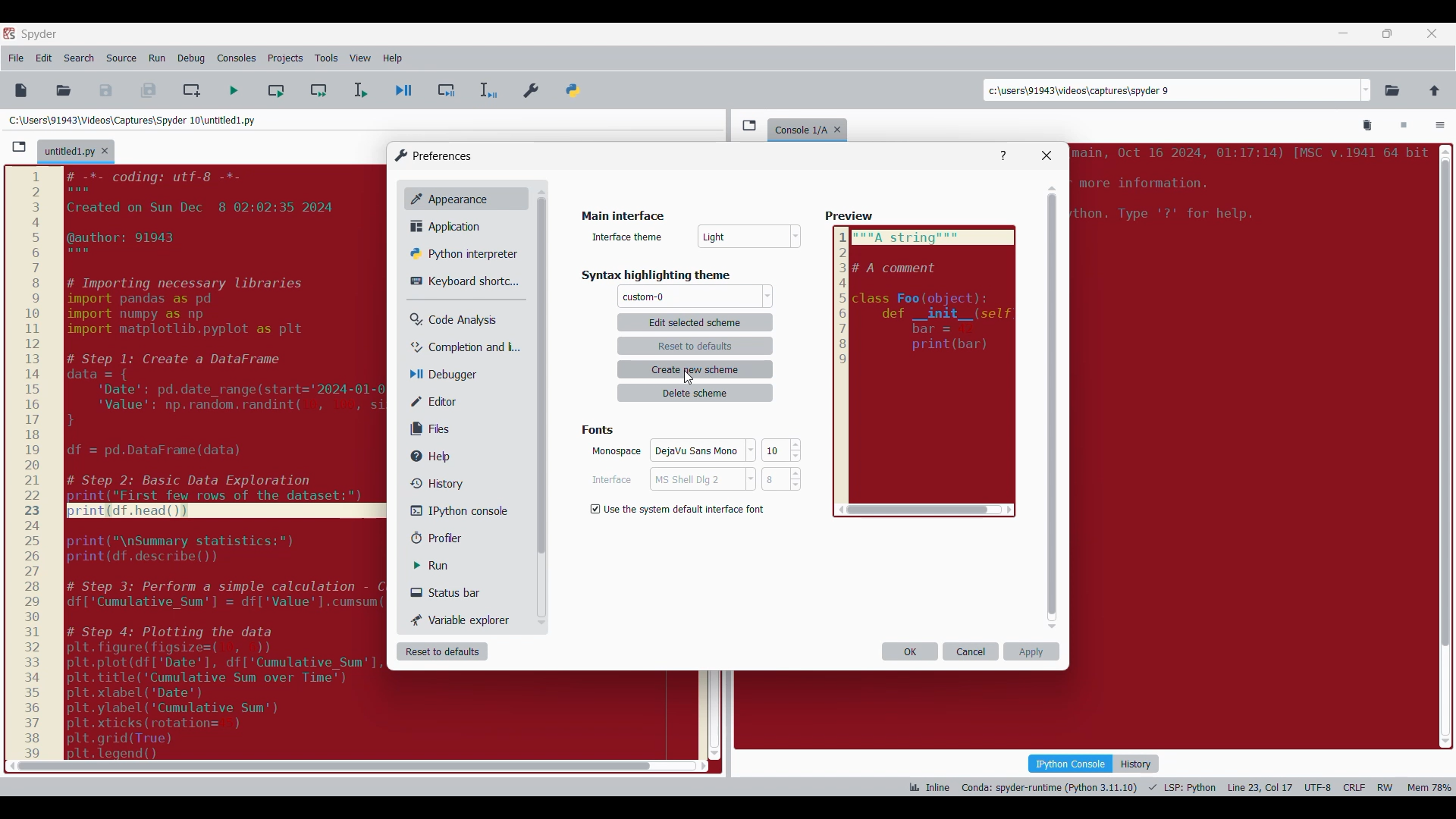 The width and height of the screenshot is (1456, 819). What do you see at coordinates (1344, 33) in the screenshot?
I see `Minimize` at bounding box center [1344, 33].